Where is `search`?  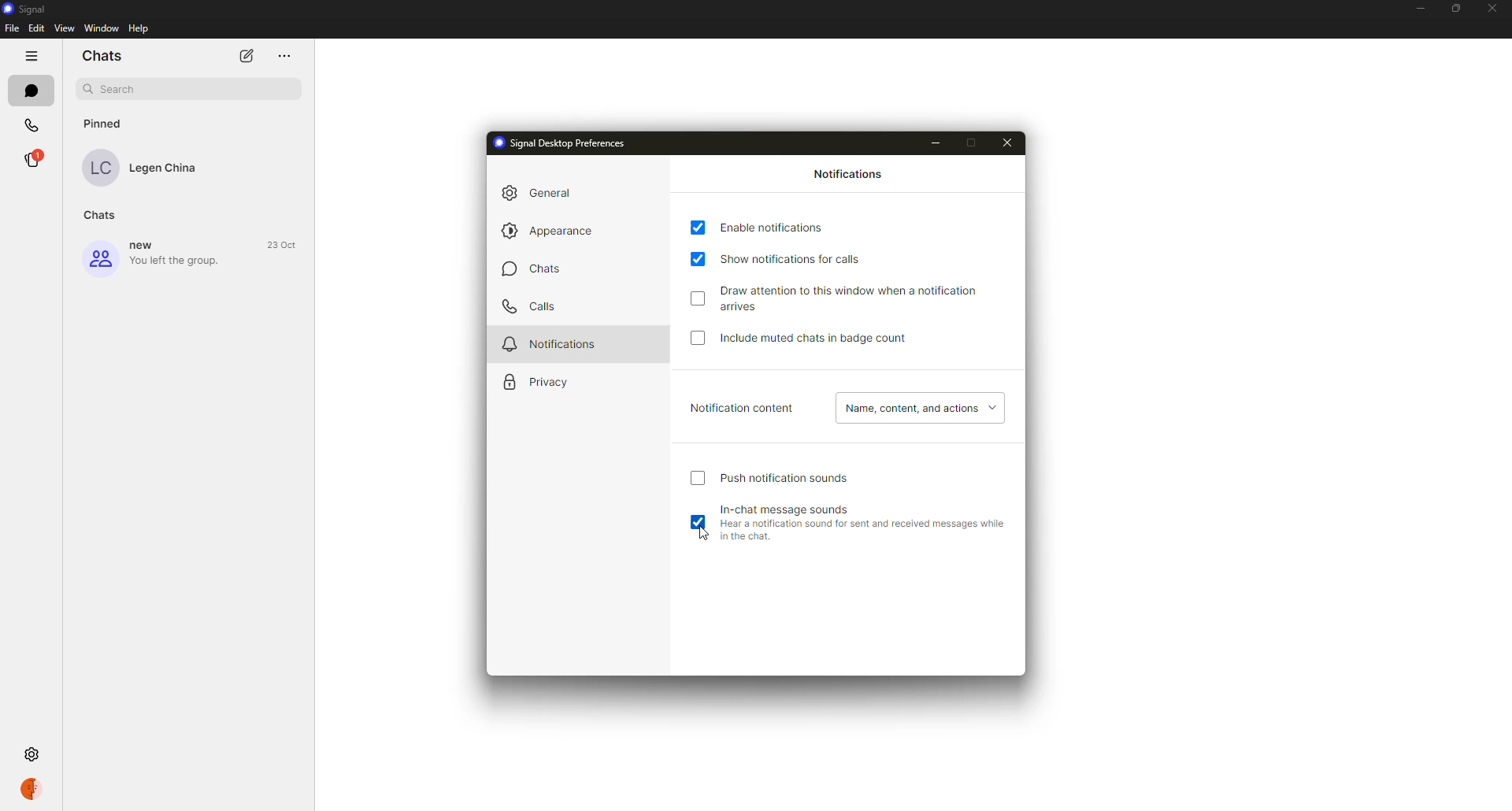
search is located at coordinates (191, 90).